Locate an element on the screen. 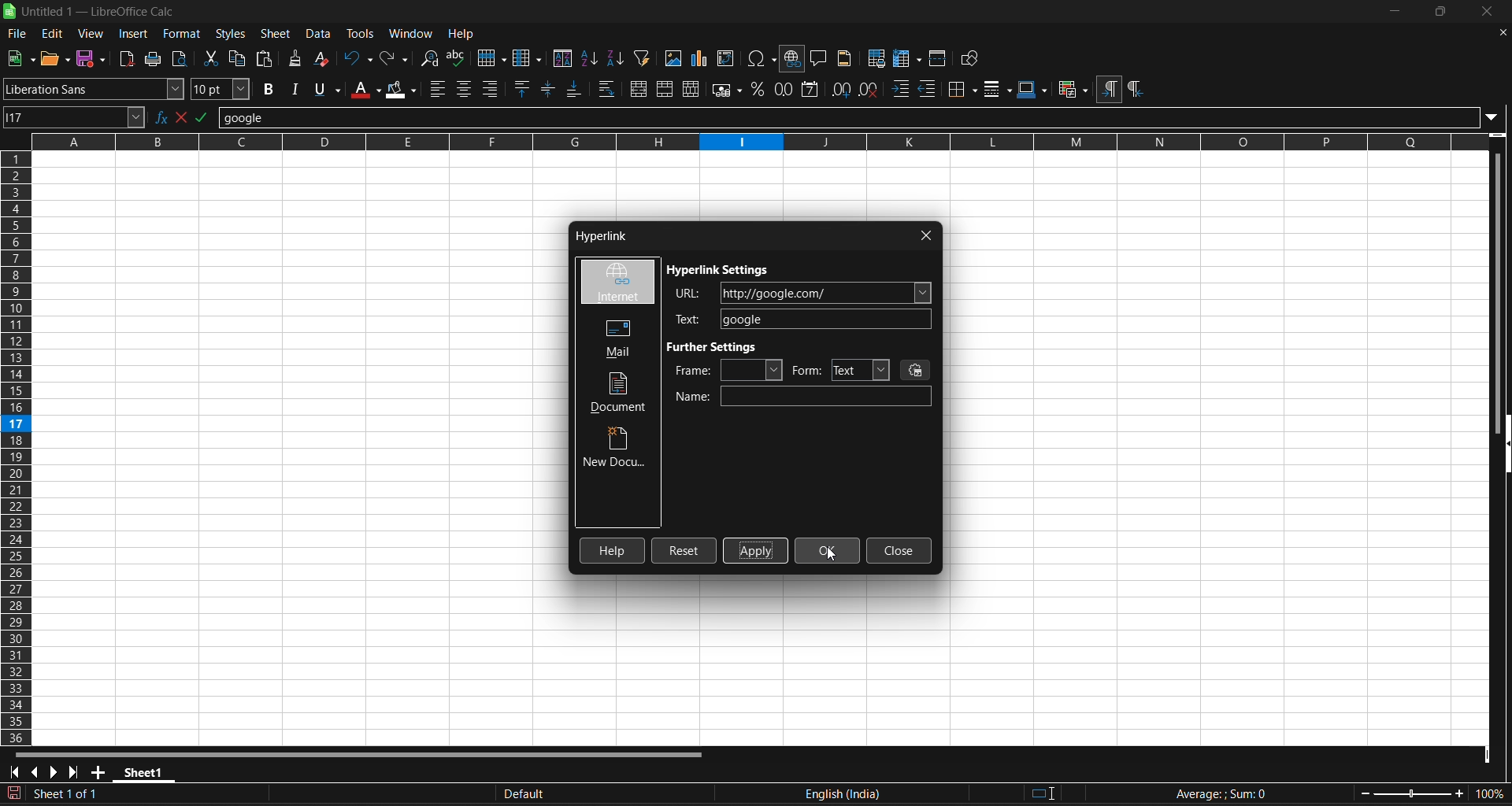 This screenshot has width=1512, height=806. print is located at coordinates (157, 58).